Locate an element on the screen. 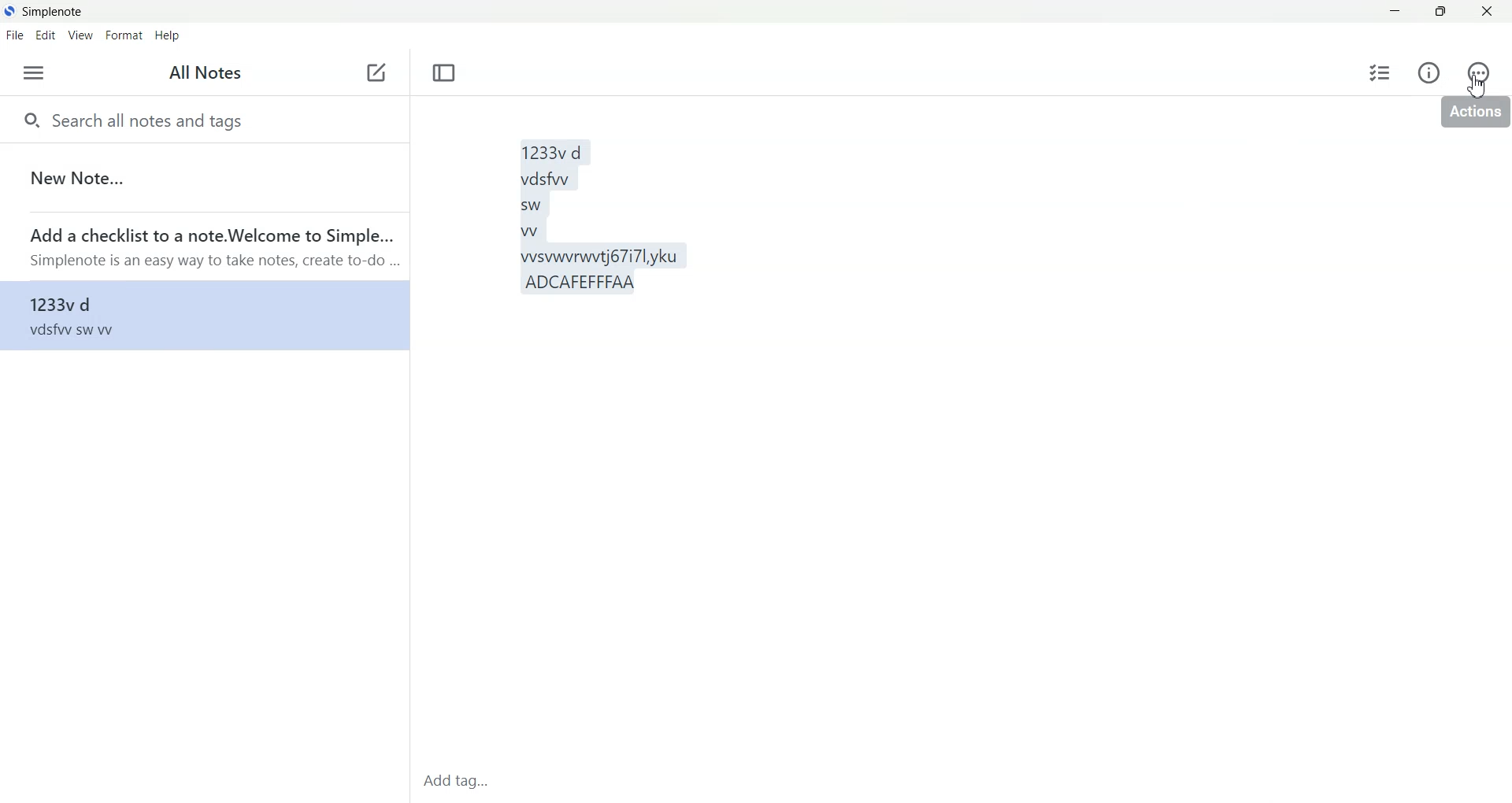  Edit is located at coordinates (46, 35).